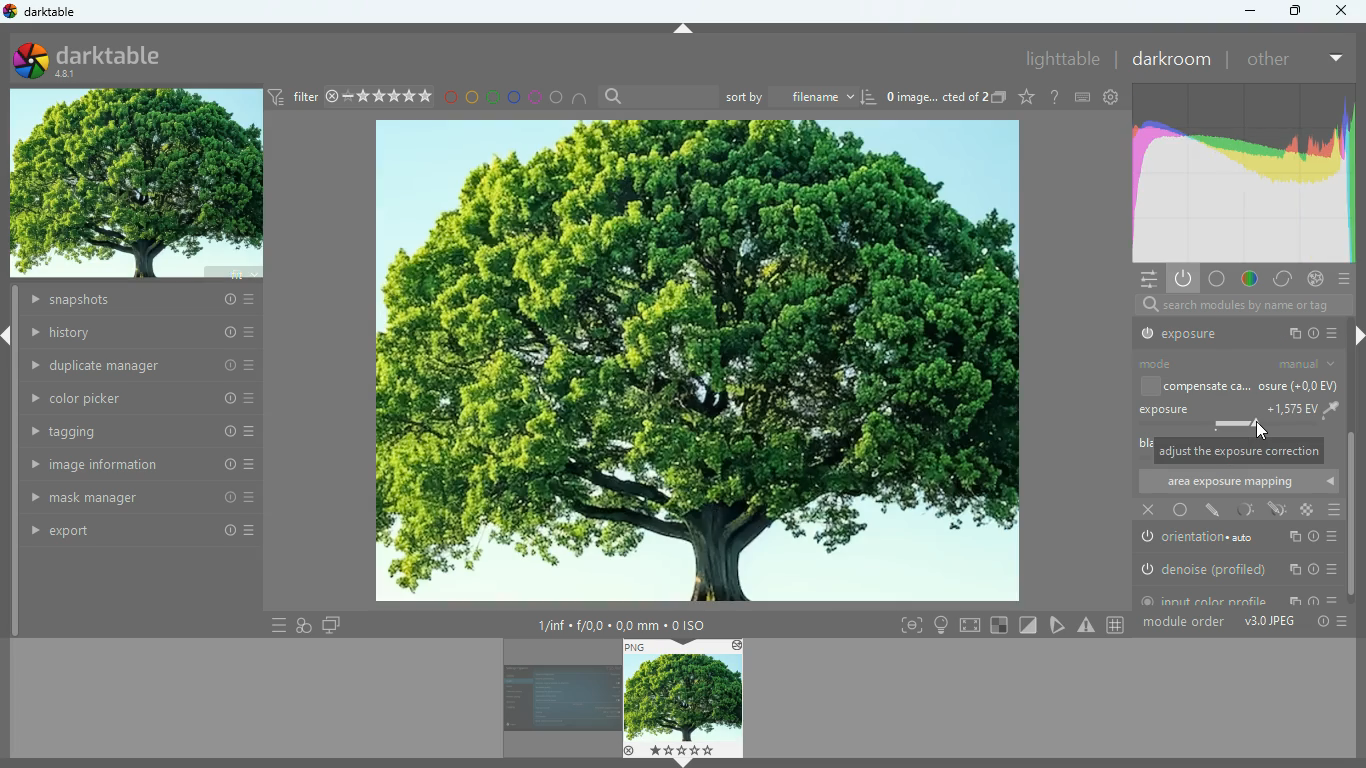 The width and height of the screenshot is (1366, 768). What do you see at coordinates (656, 95) in the screenshot?
I see `search` at bounding box center [656, 95].